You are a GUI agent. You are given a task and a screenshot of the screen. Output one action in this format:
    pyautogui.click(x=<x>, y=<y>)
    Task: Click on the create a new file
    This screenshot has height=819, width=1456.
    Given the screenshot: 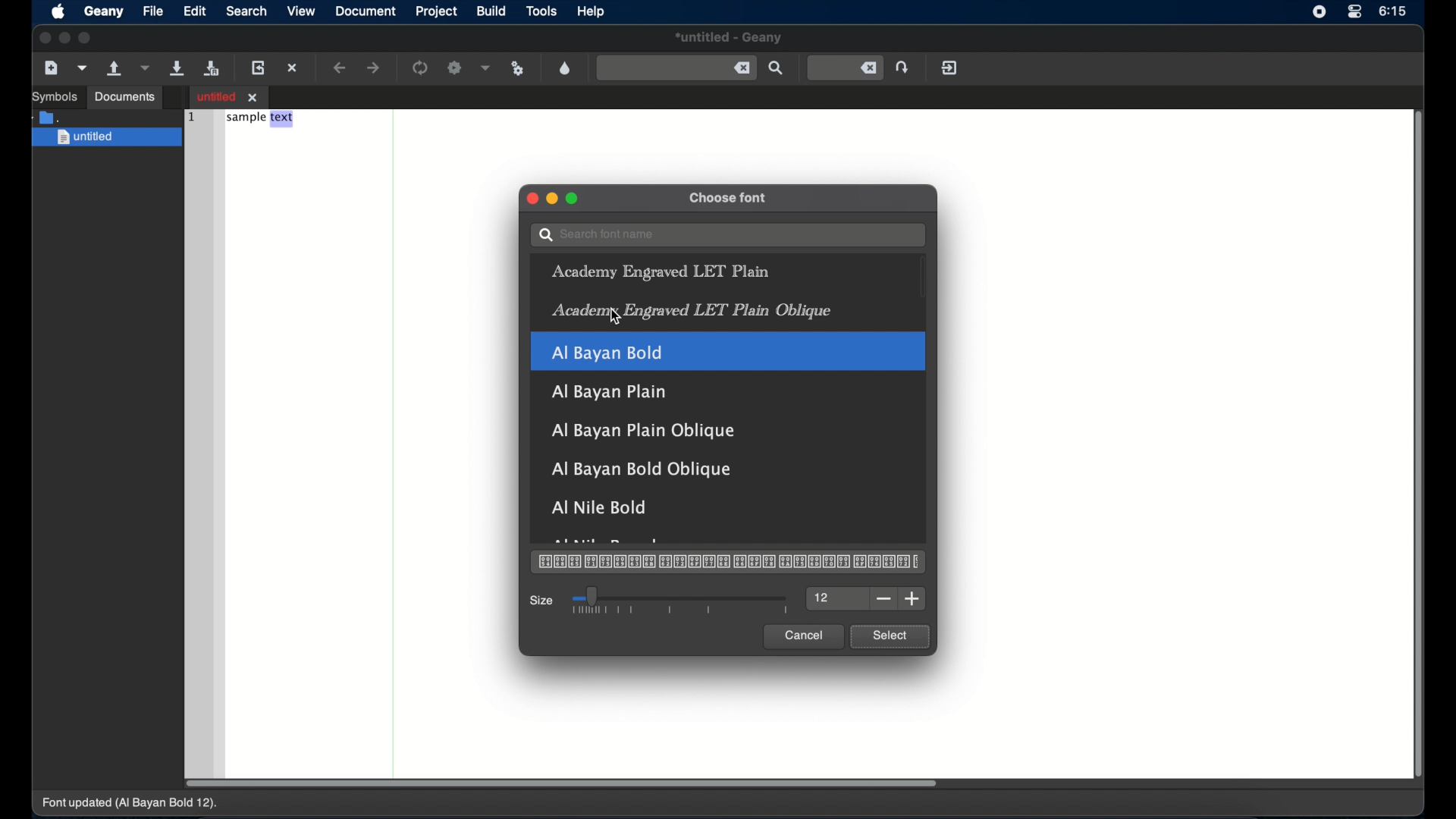 What is the action you would take?
    pyautogui.click(x=52, y=68)
    